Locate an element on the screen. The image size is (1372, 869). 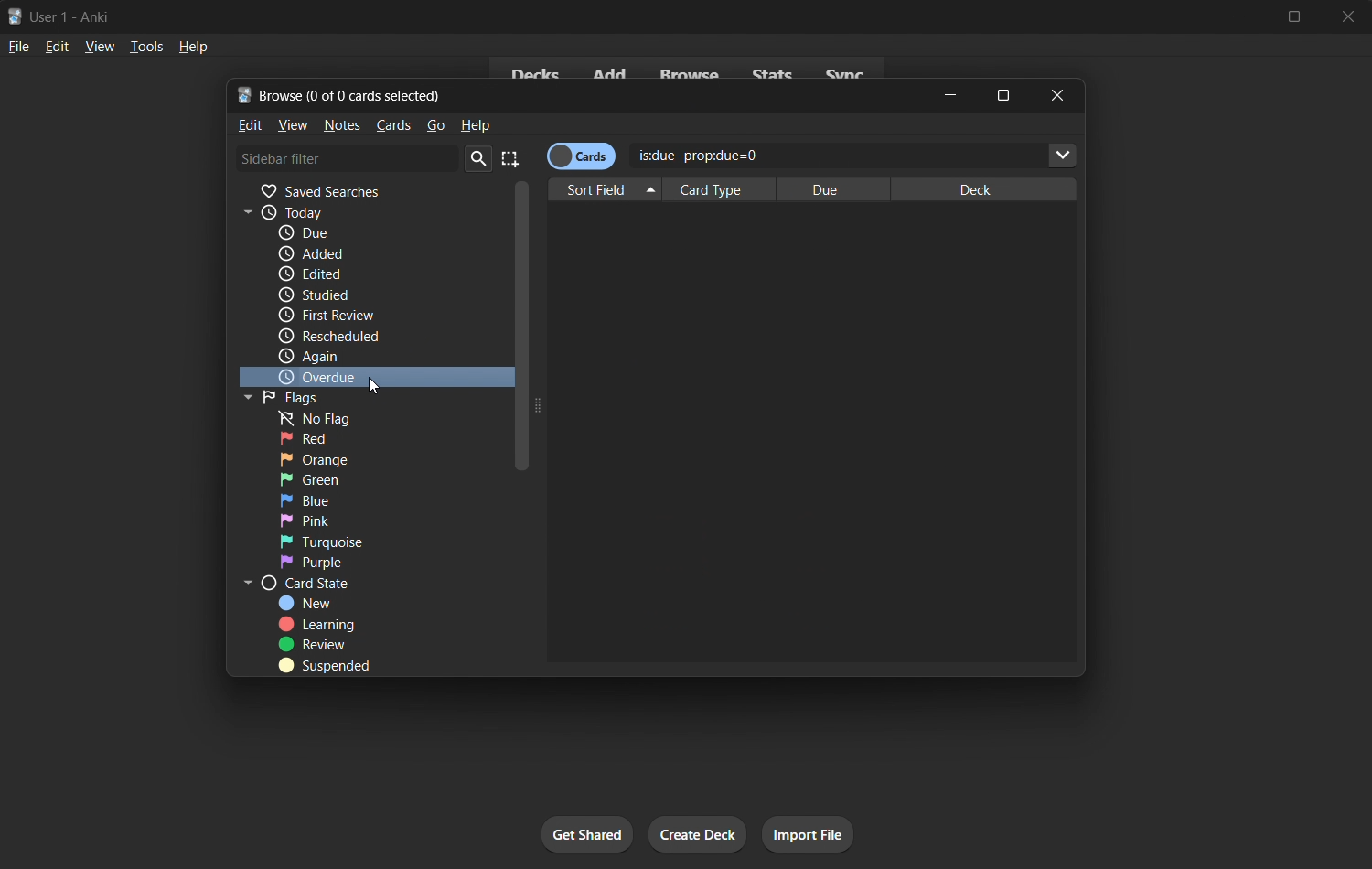
edit is located at coordinates (58, 46).